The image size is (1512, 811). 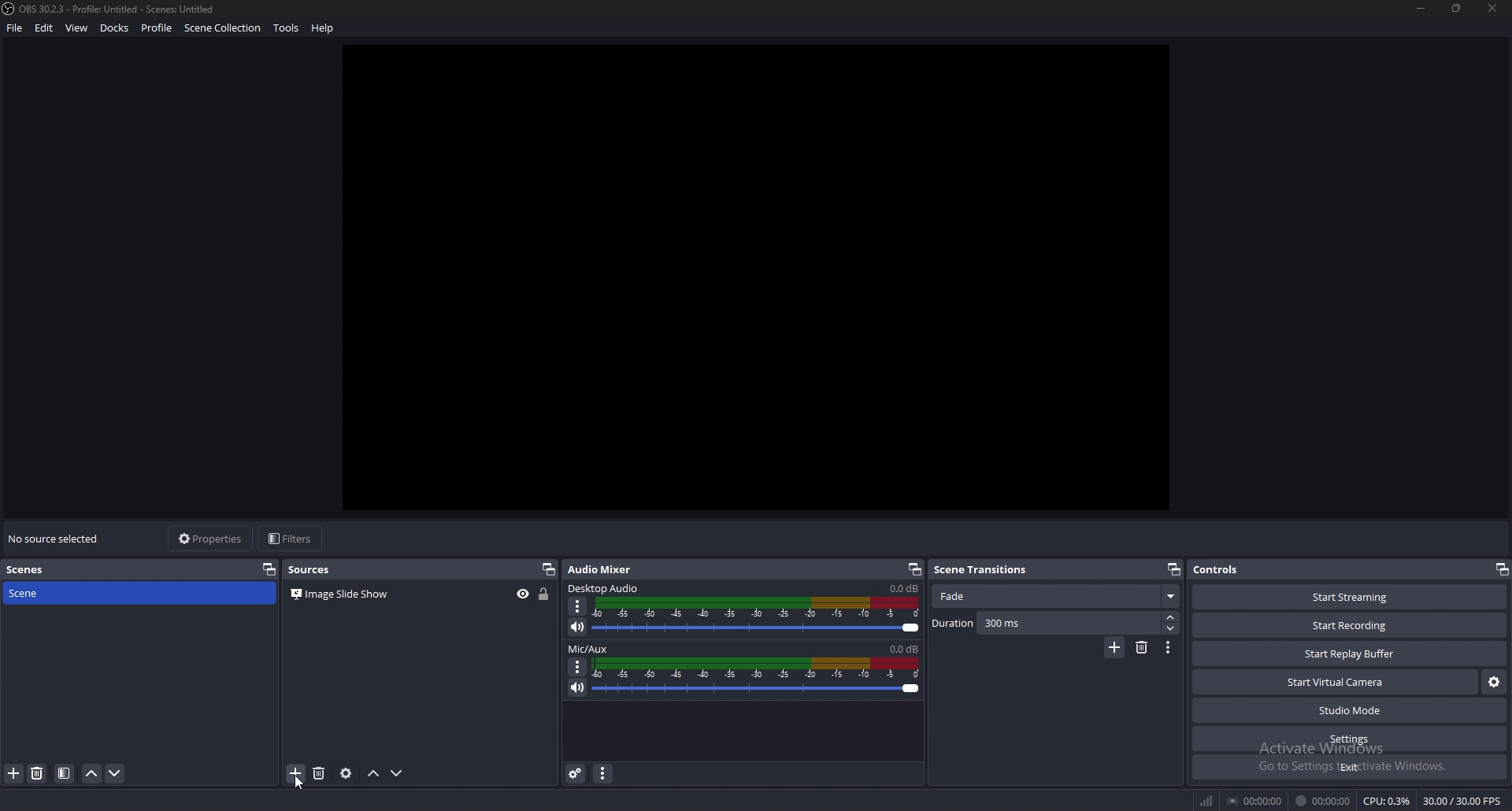 I want to click on fps, so click(x=1460, y=798).